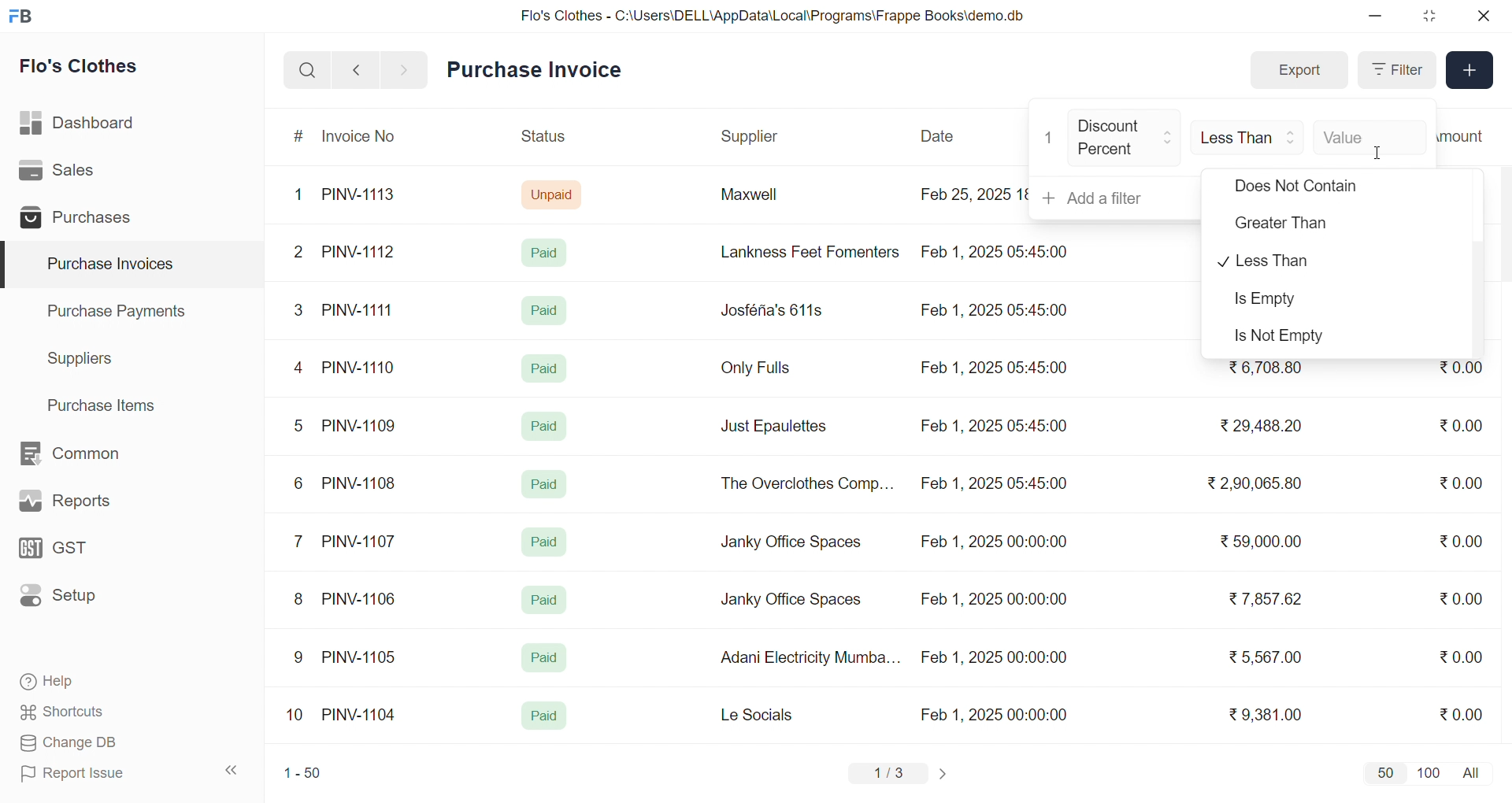  What do you see at coordinates (24, 17) in the screenshot?
I see `logo` at bounding box center [24, 17].